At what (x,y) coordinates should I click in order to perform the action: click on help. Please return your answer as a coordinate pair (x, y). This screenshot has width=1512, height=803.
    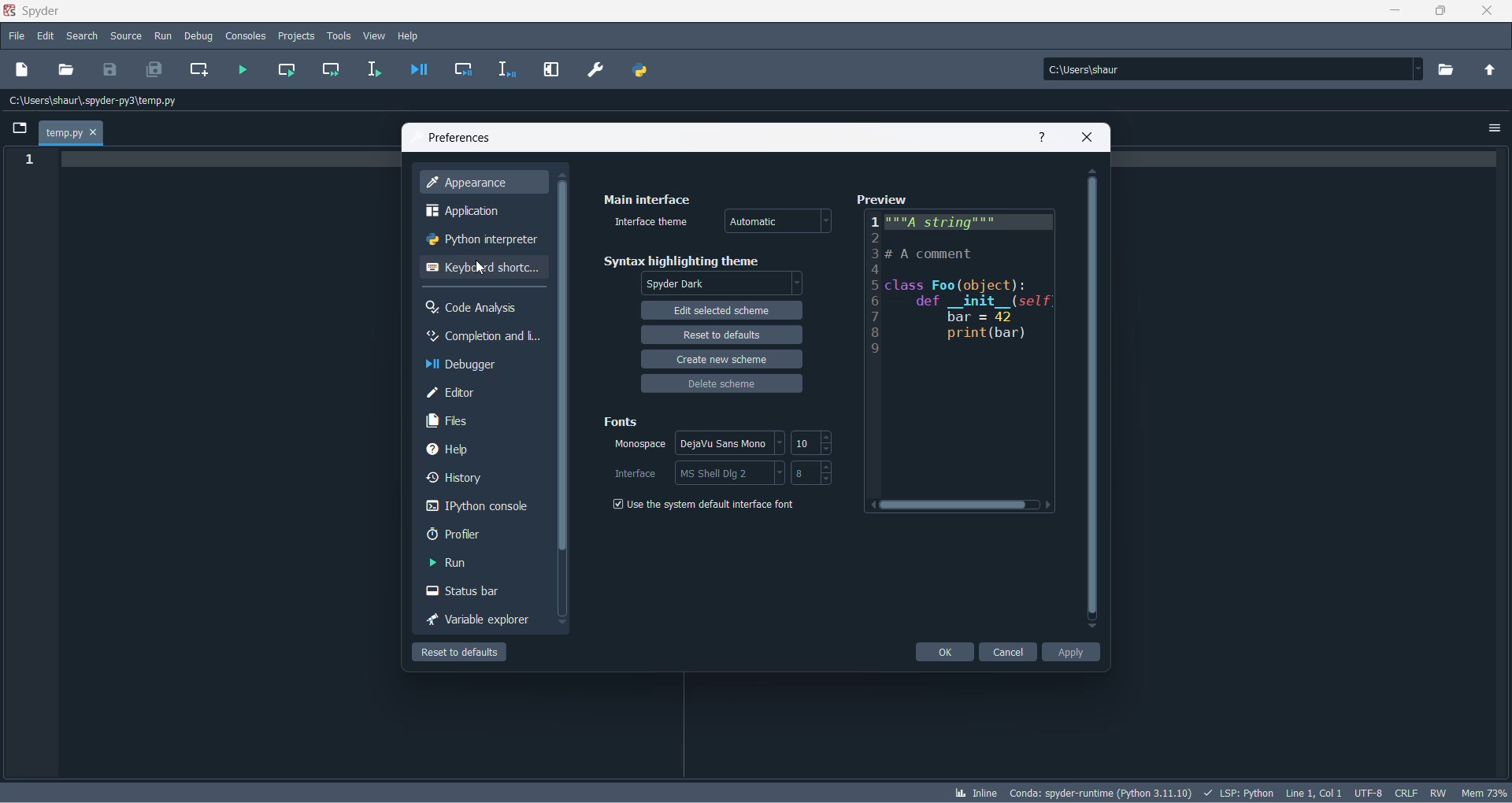
    Looking at the image, I should click on (1037, 138).